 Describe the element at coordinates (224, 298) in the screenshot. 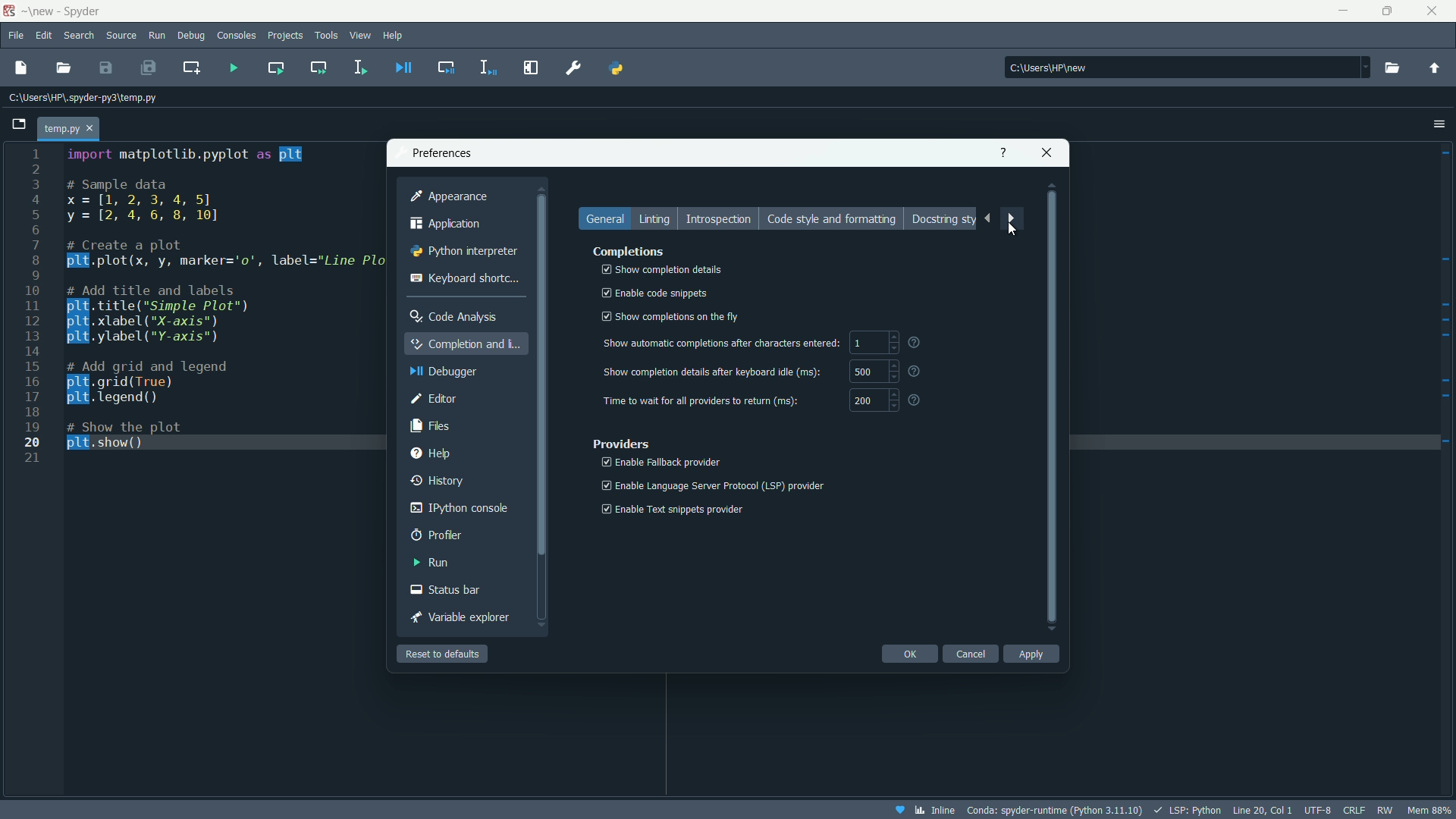

I see `code to create a line plot between x and y variables` at that location.